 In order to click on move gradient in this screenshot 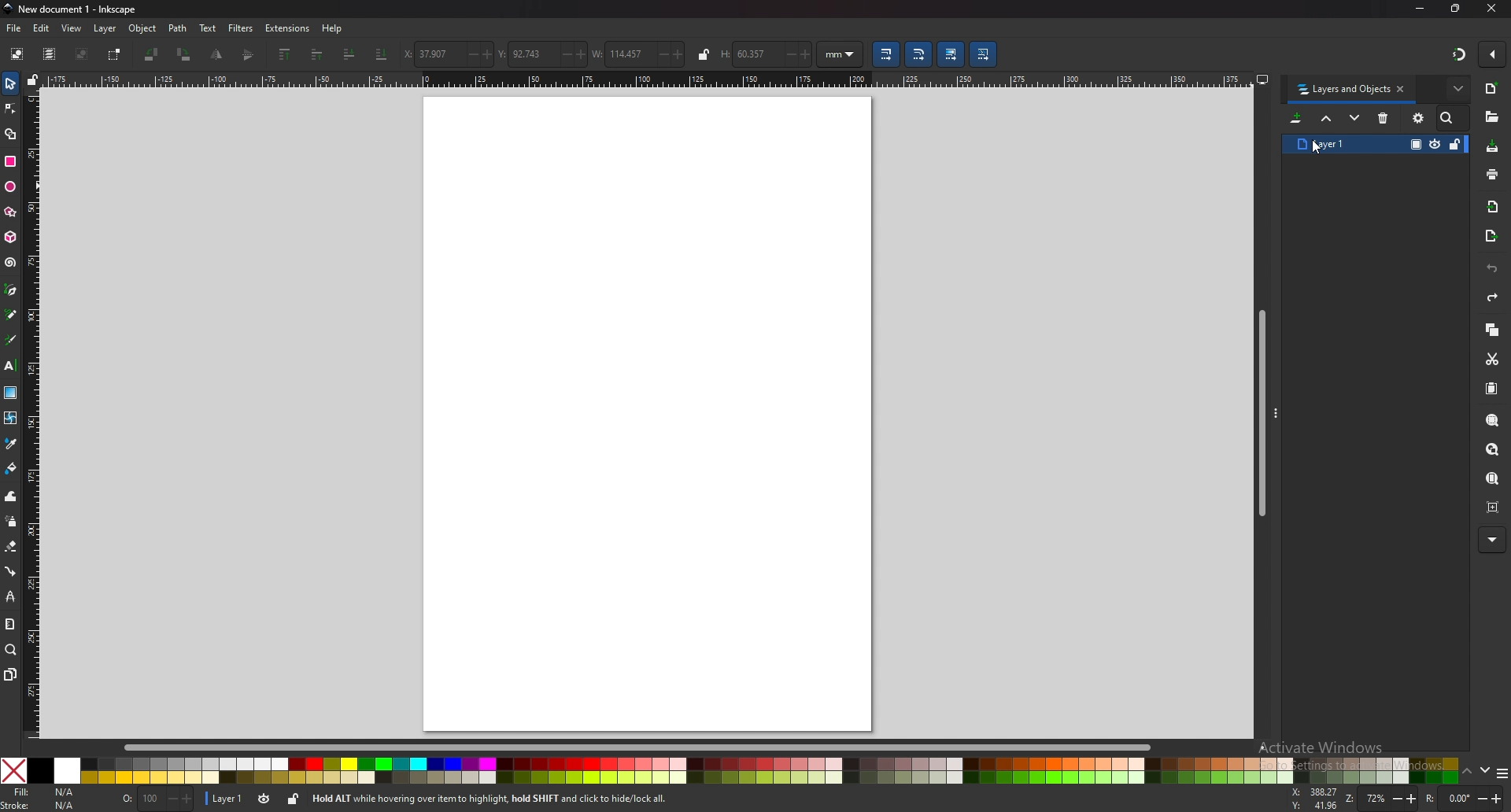, I will do `click(951, 54)`.